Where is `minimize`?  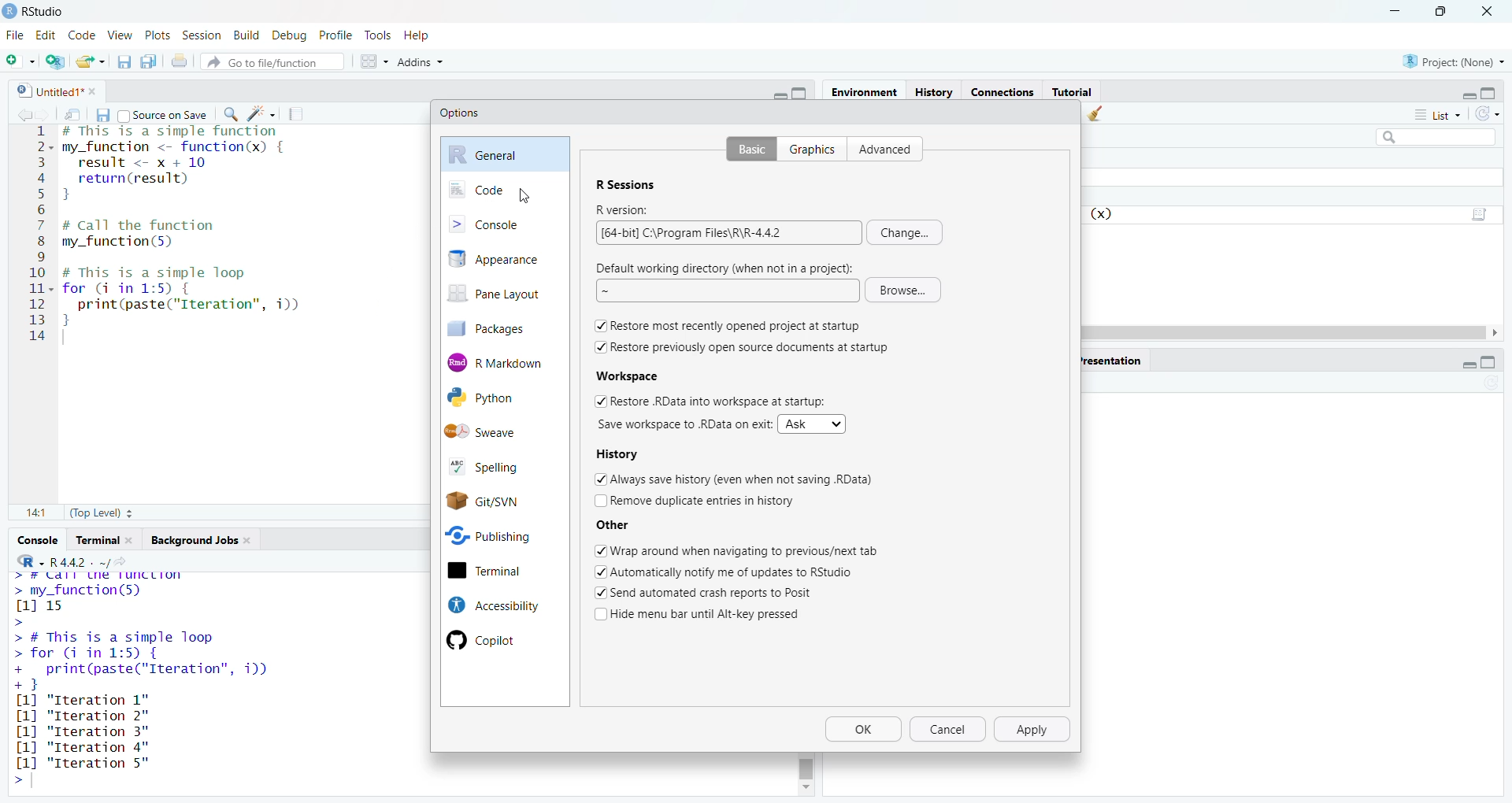 minimize is located at coordinates (776, 94).